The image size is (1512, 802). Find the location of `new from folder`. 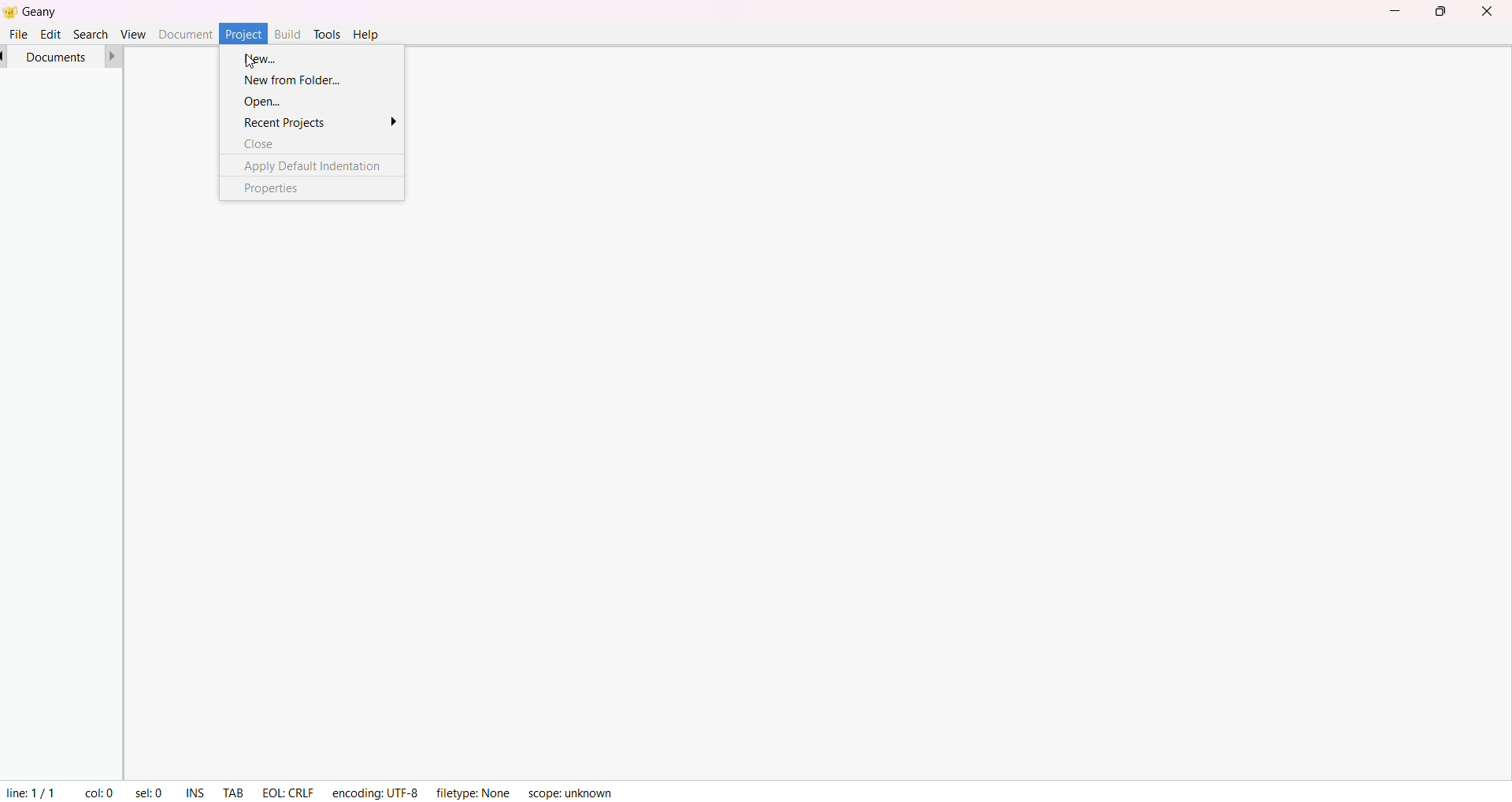

new from folder is located at coordinates (295, 80).